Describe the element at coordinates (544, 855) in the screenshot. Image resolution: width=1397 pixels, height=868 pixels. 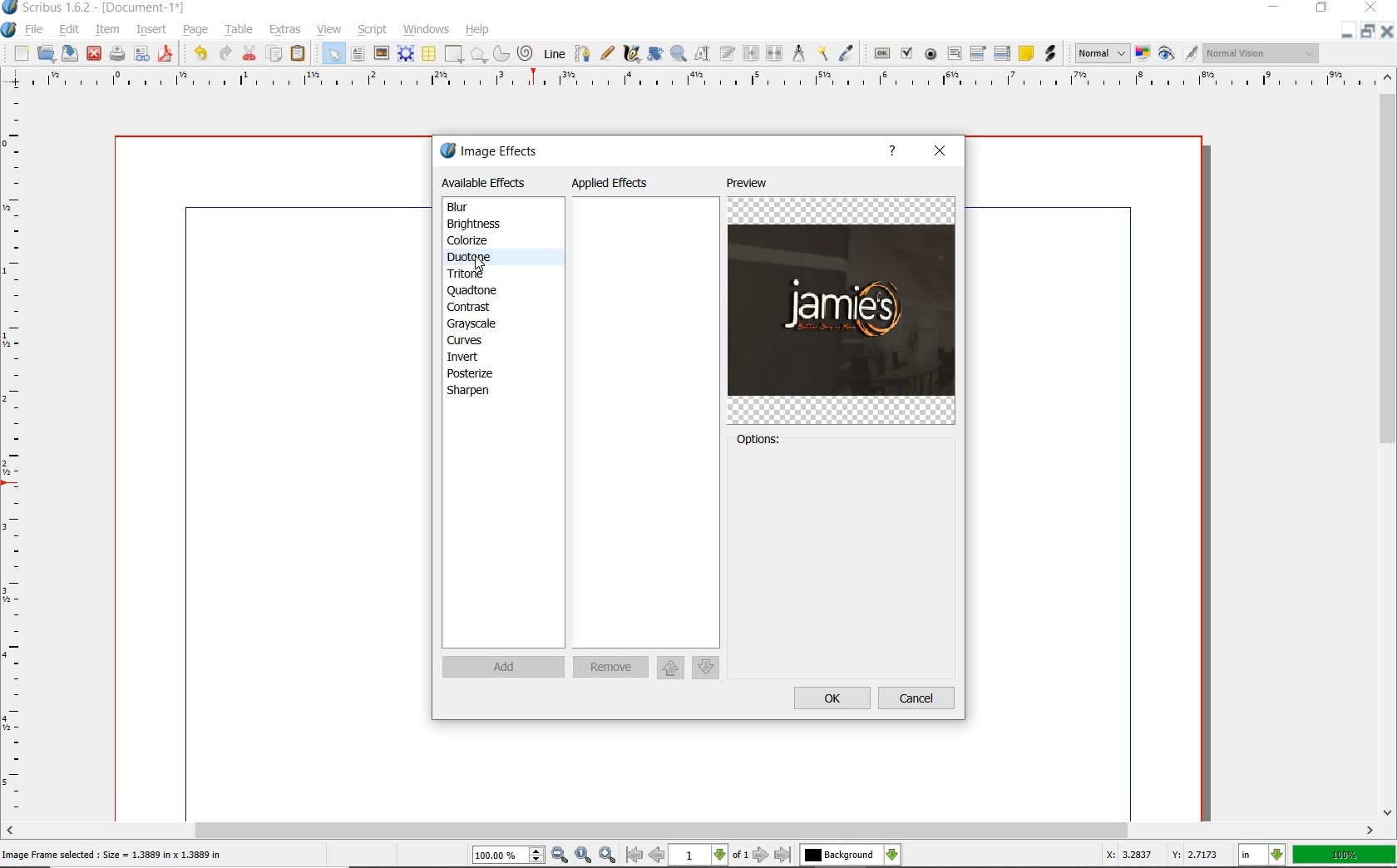
I see `zoom in/zoom to/zoom out` at that location.